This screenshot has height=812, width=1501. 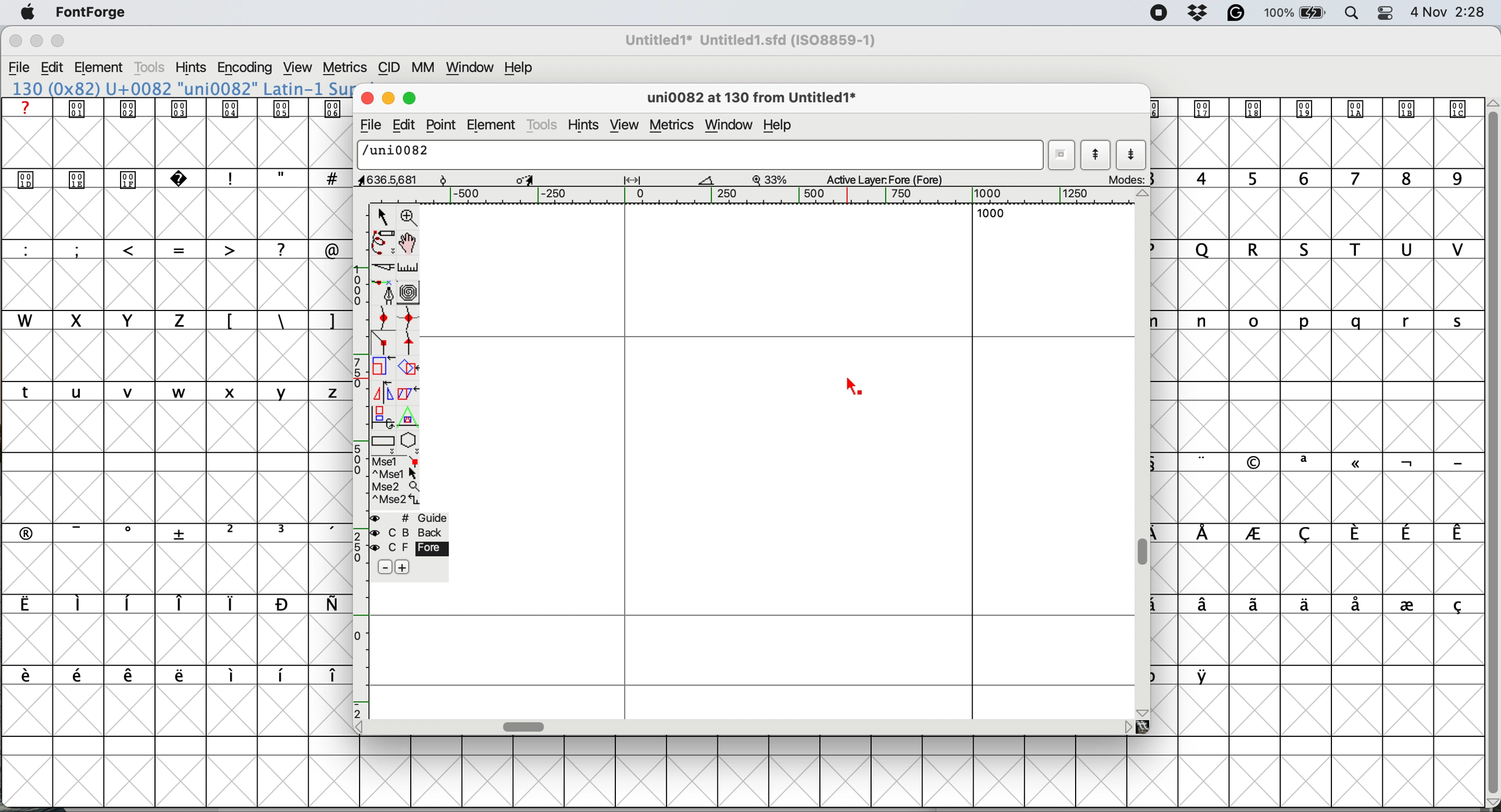 I want to click on close, so click(x=15, y=41).